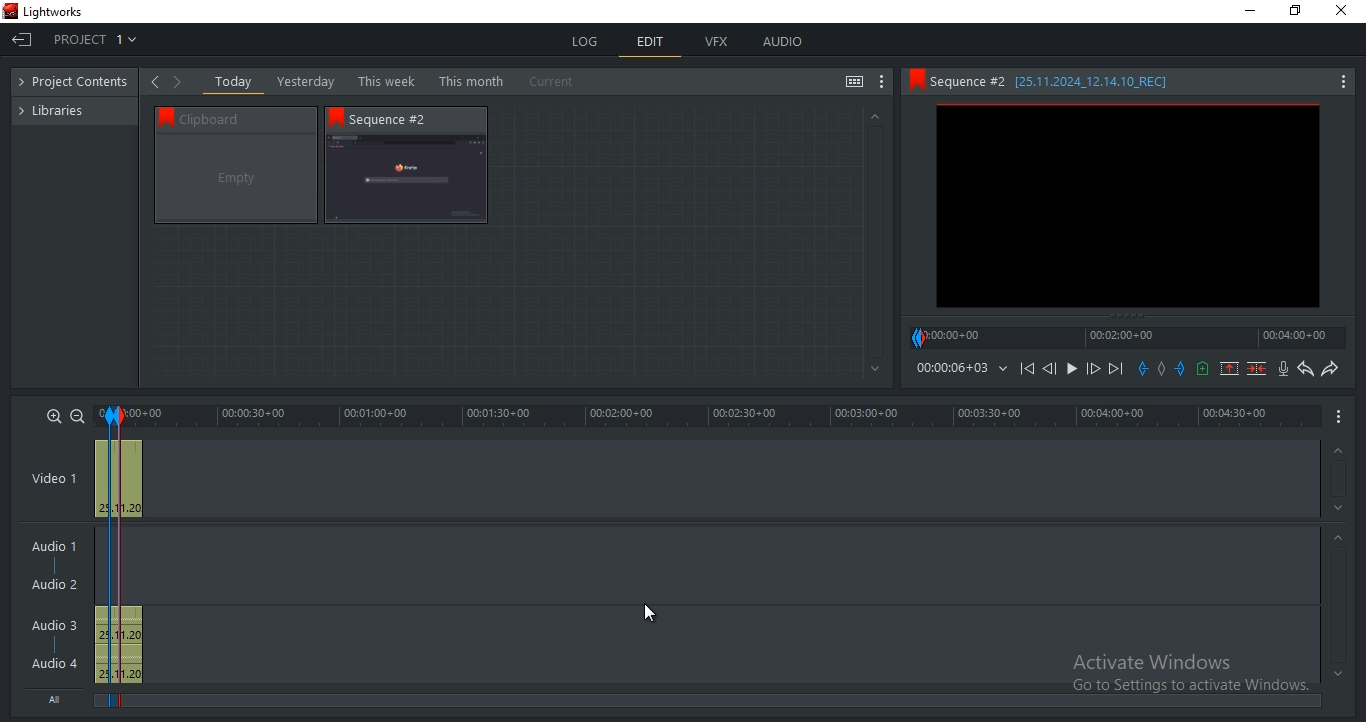 The height and width of the screenshot is (722, 1366). I want to click on redo, so click(1329, 368).